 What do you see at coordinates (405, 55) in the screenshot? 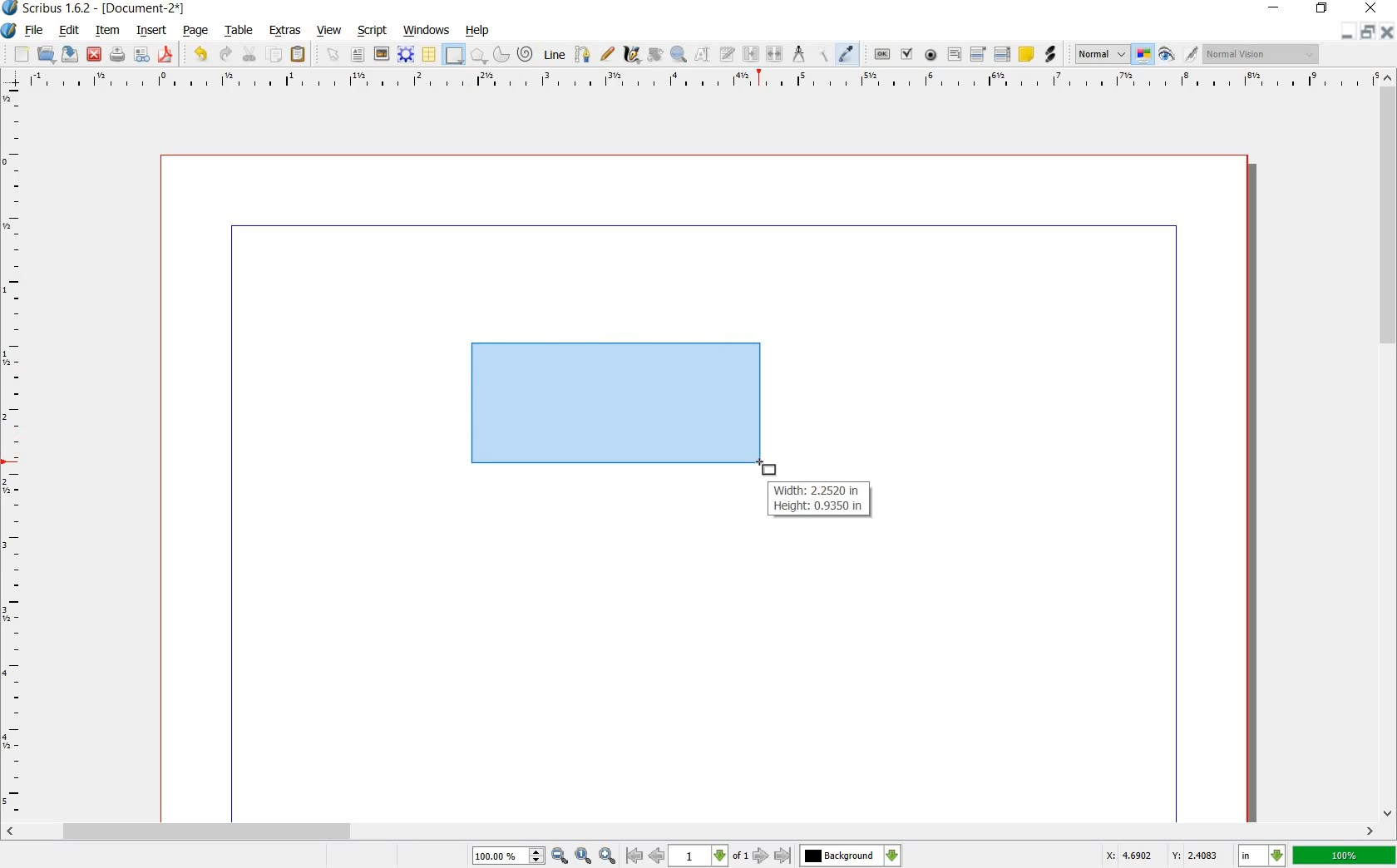
I see `RENDER FRAME` at bounding box center [405, 55].